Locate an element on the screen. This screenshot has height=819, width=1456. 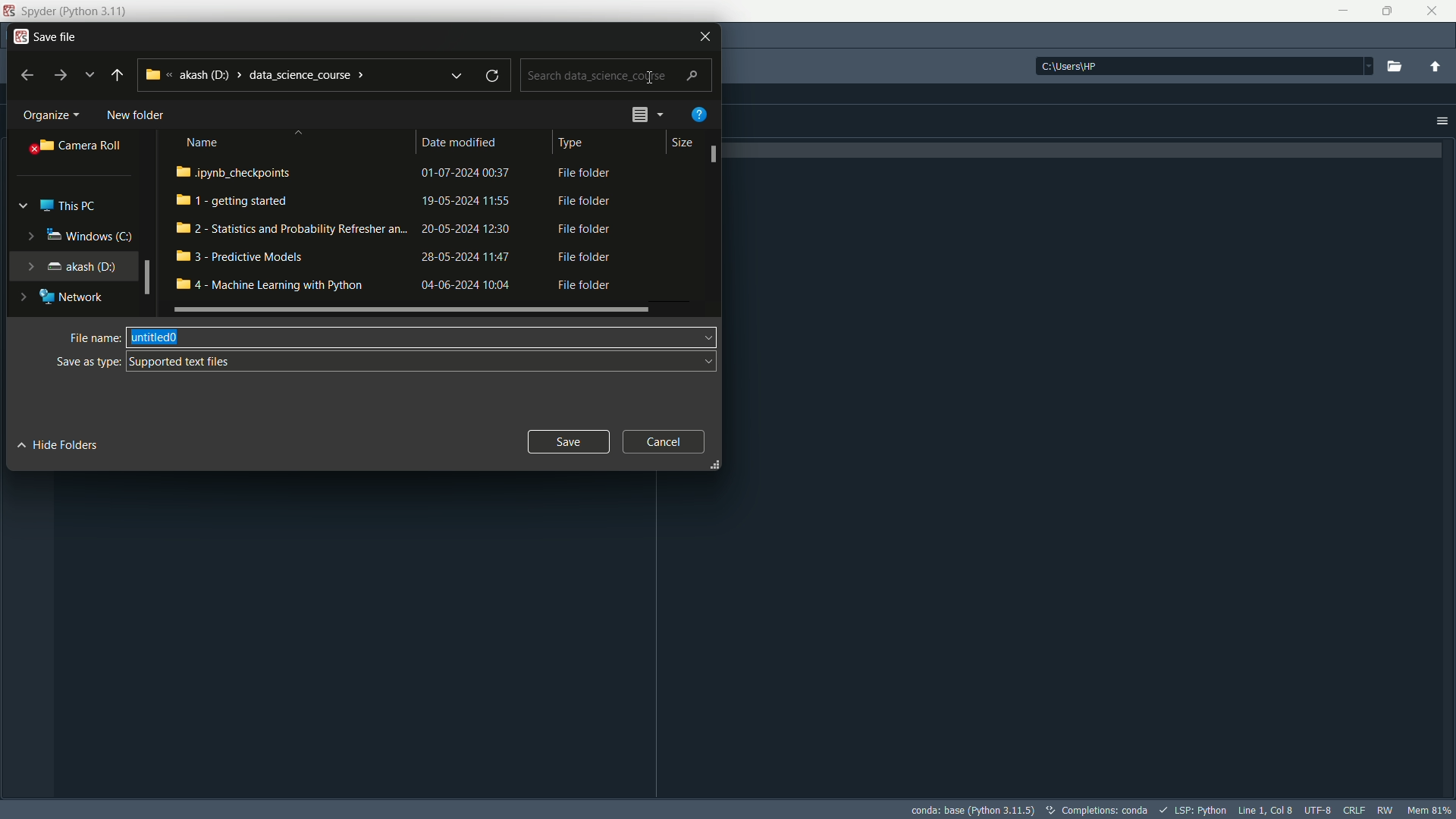
file name is located at coordinates (421, 337).